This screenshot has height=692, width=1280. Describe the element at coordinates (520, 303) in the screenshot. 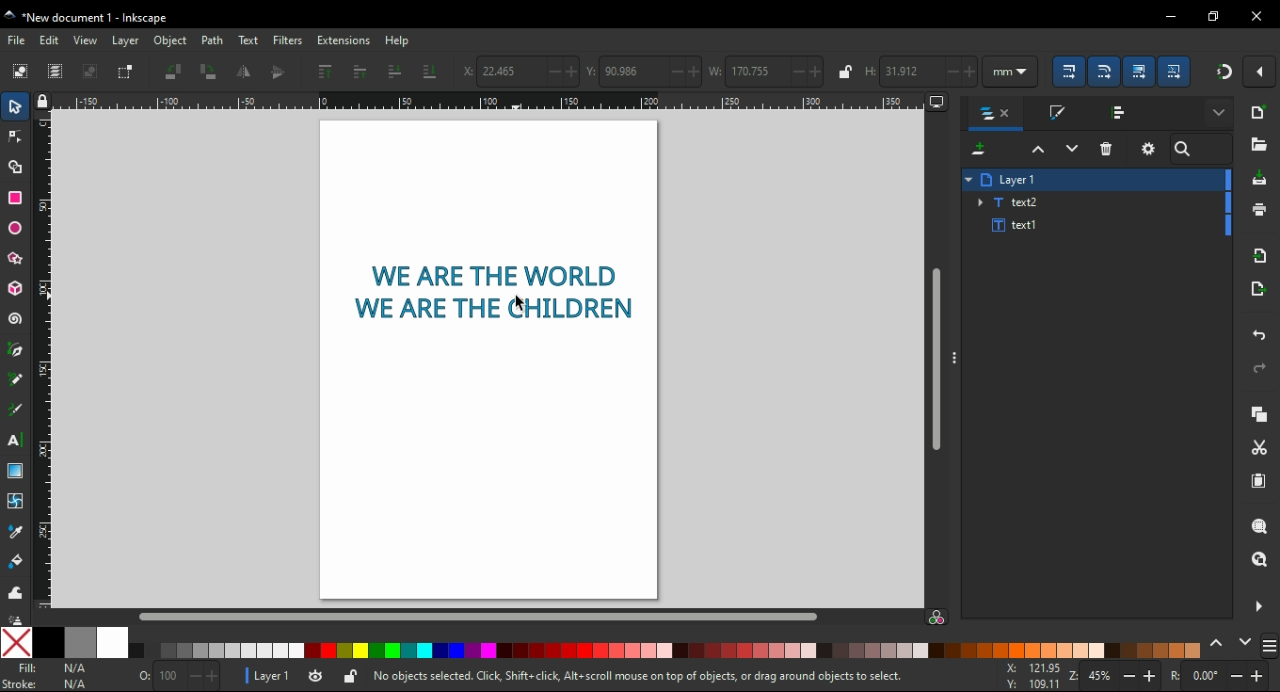

I see `cursor` at that location.